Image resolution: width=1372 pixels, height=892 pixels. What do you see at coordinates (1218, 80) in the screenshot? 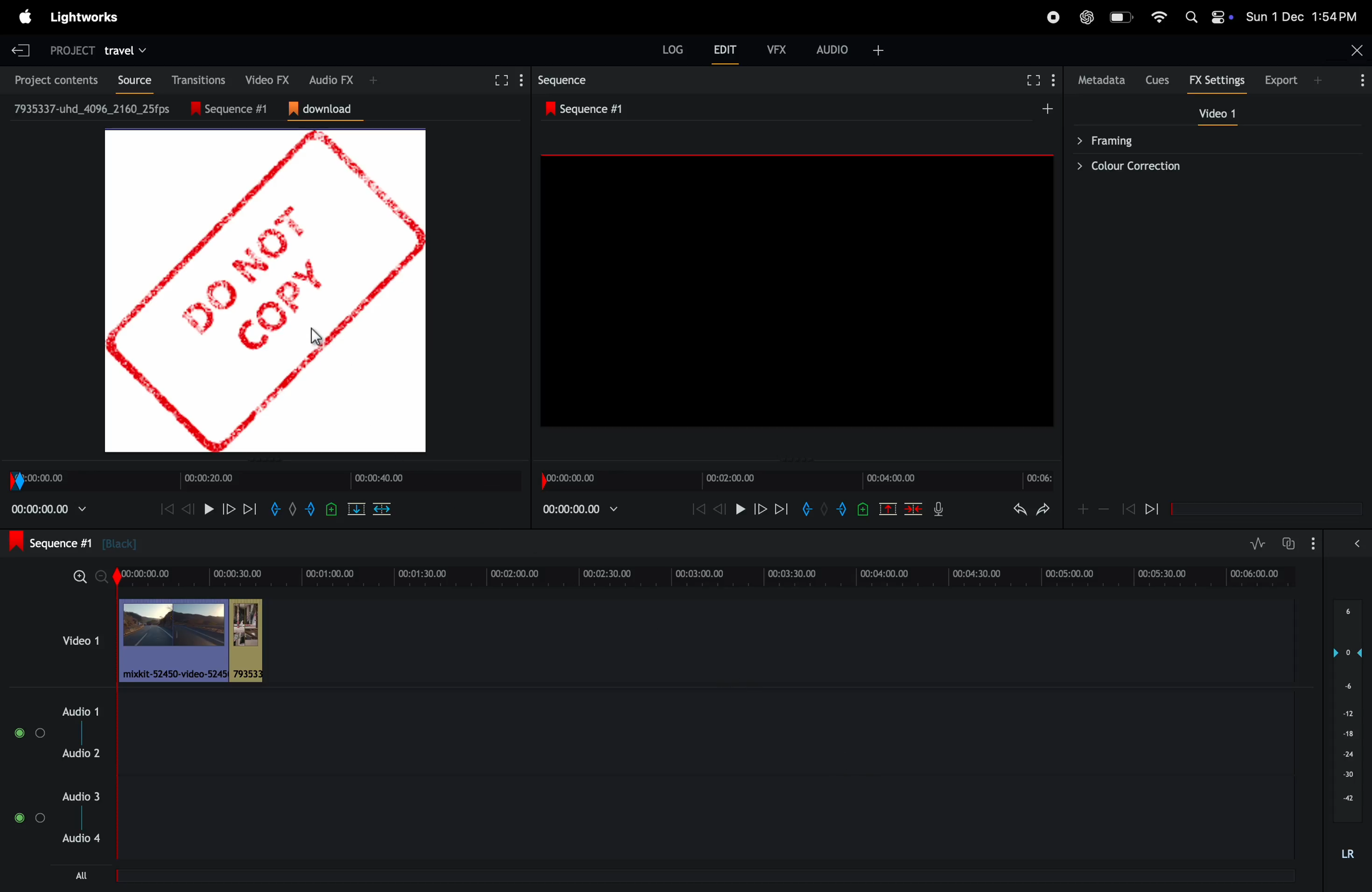
I see `Fx setting` at bounding box center [1218, 80].